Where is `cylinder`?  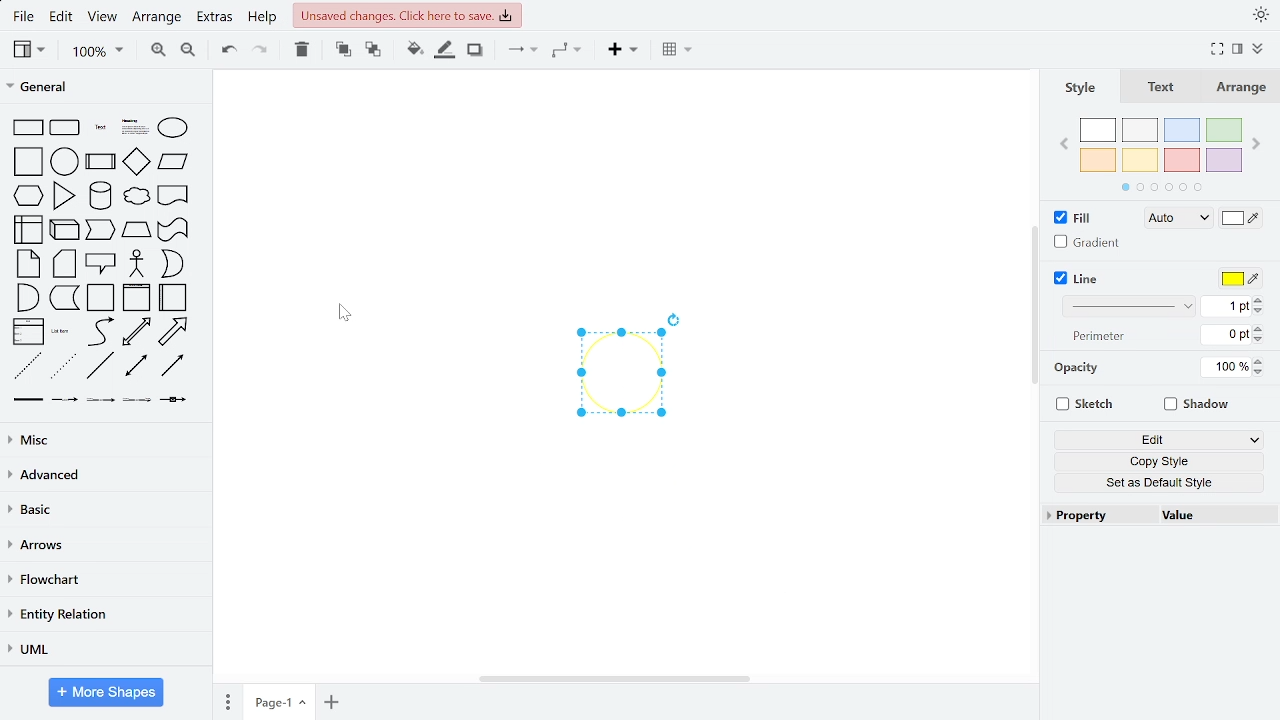
cylinder is located at coordinates (100, 196).